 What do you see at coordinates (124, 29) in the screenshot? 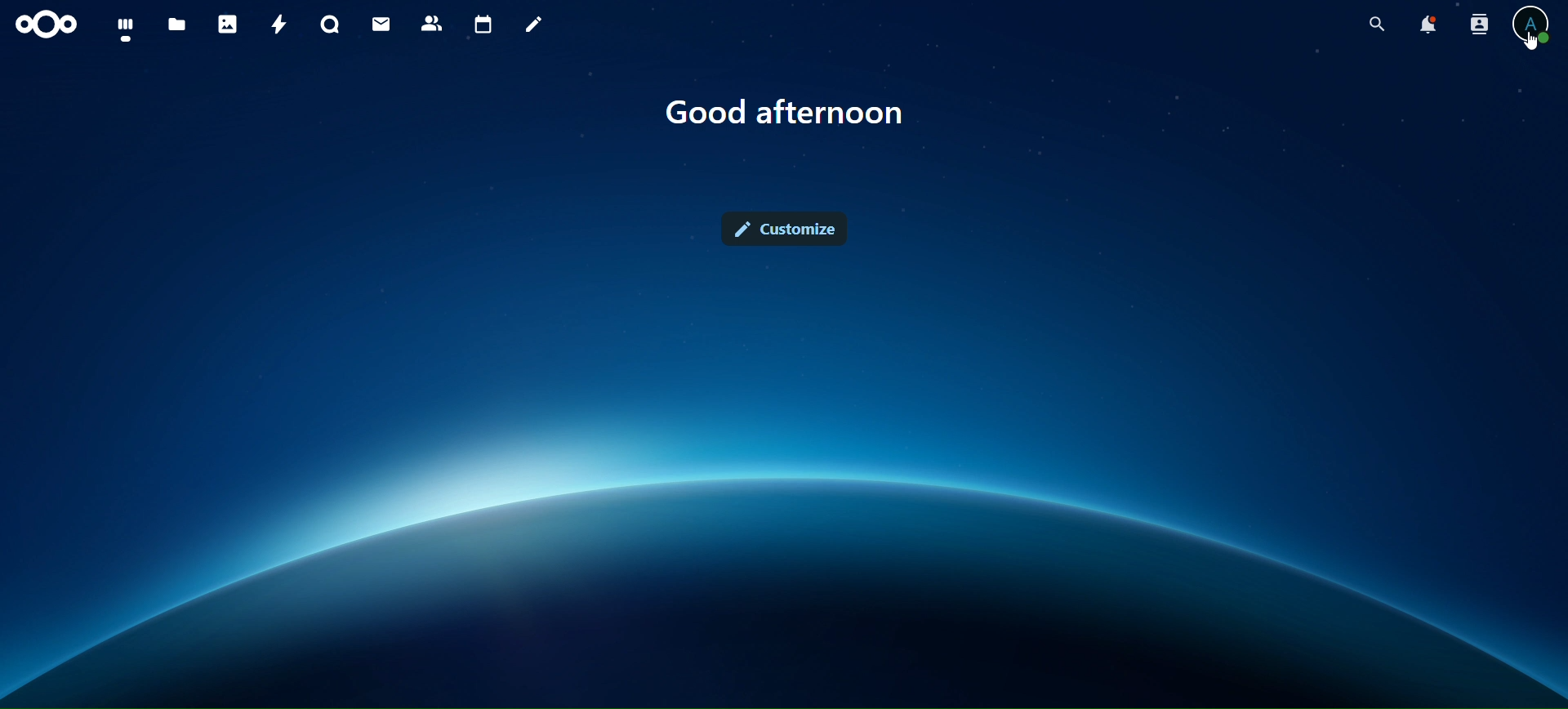
I see `dashboard` at bounding box center [124, 29].